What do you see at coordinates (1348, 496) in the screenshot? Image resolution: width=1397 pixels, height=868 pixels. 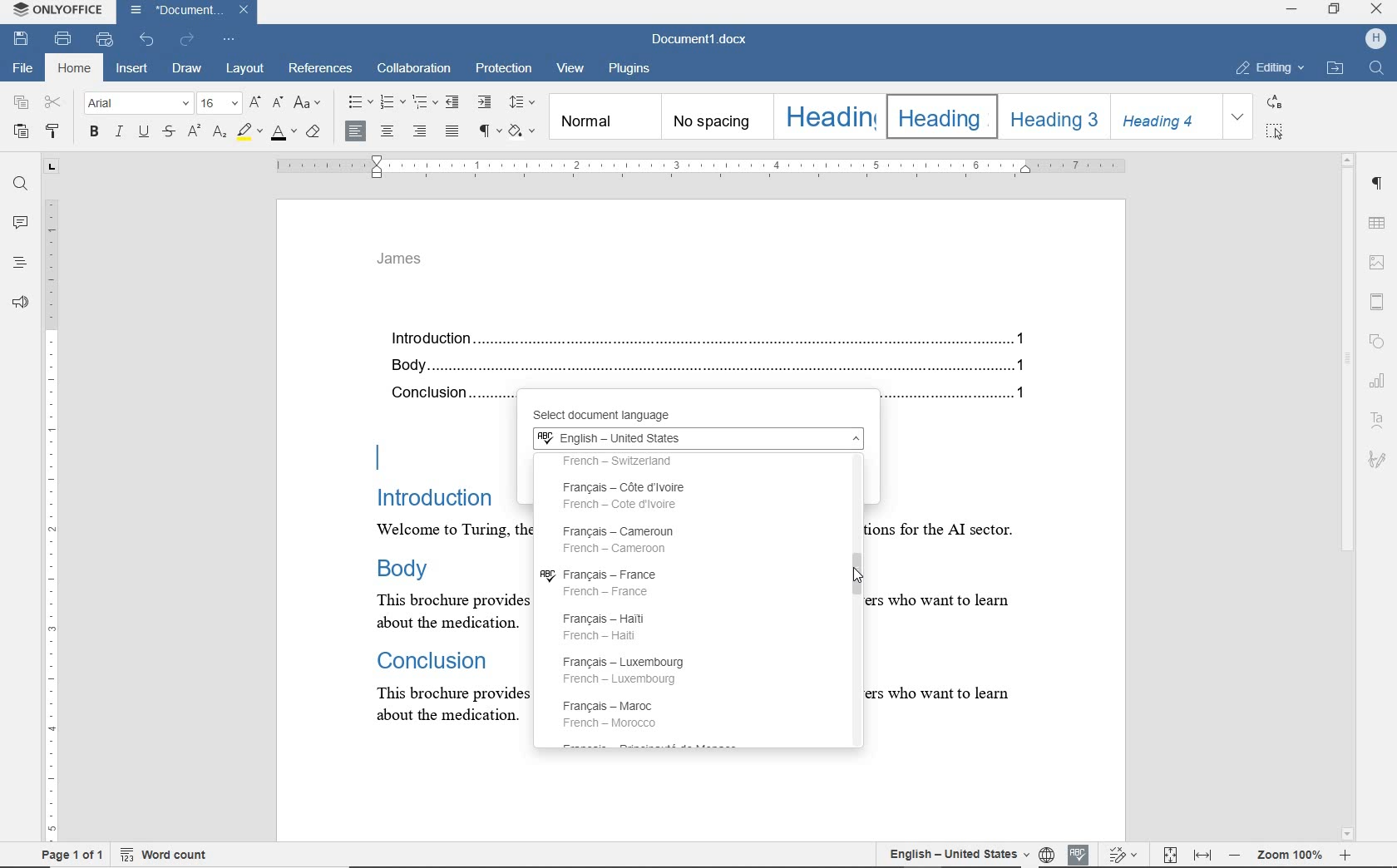 I see `scrollbar` at bounding box center [1348, 496].